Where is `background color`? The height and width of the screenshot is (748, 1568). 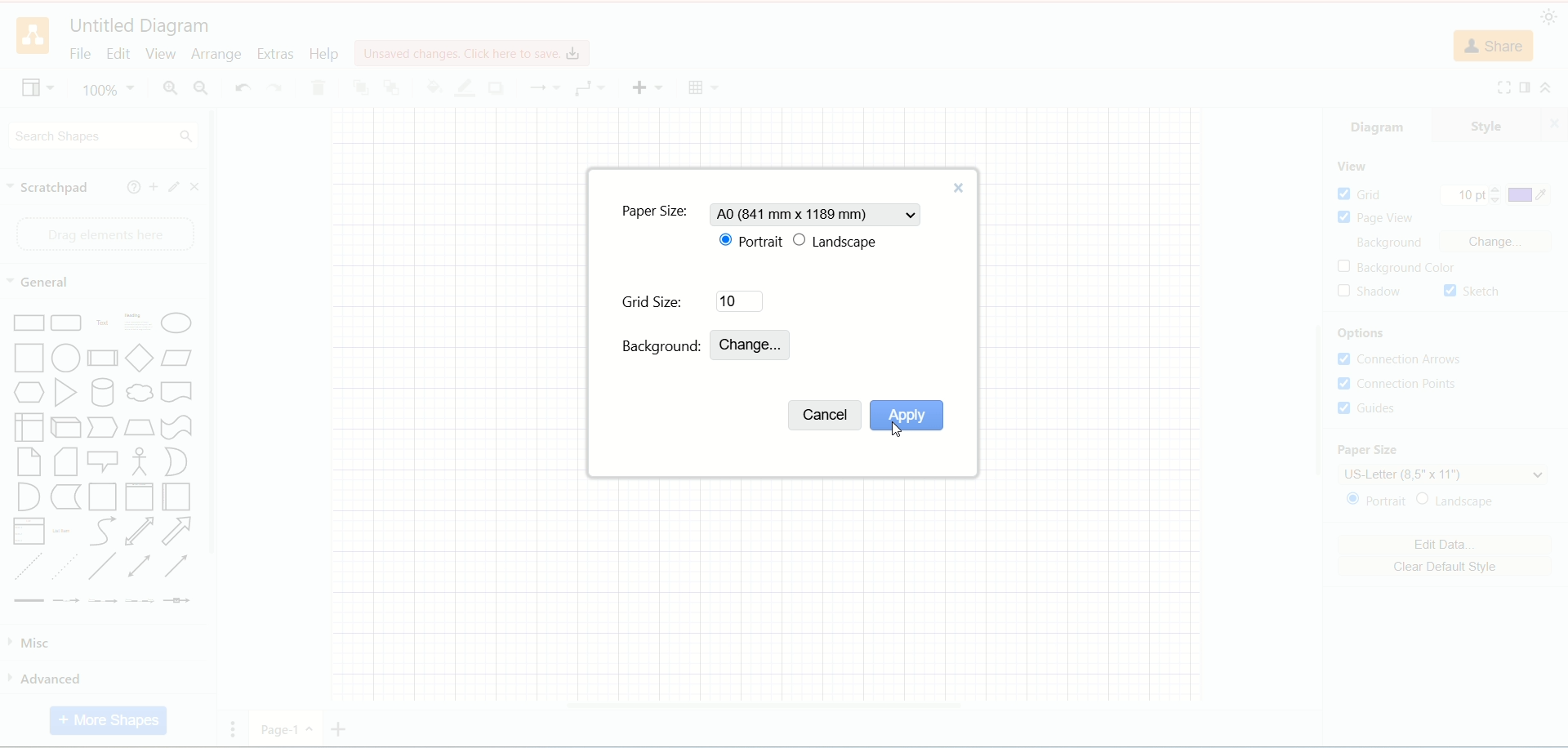
background color is located at coordinates (1401, 268).